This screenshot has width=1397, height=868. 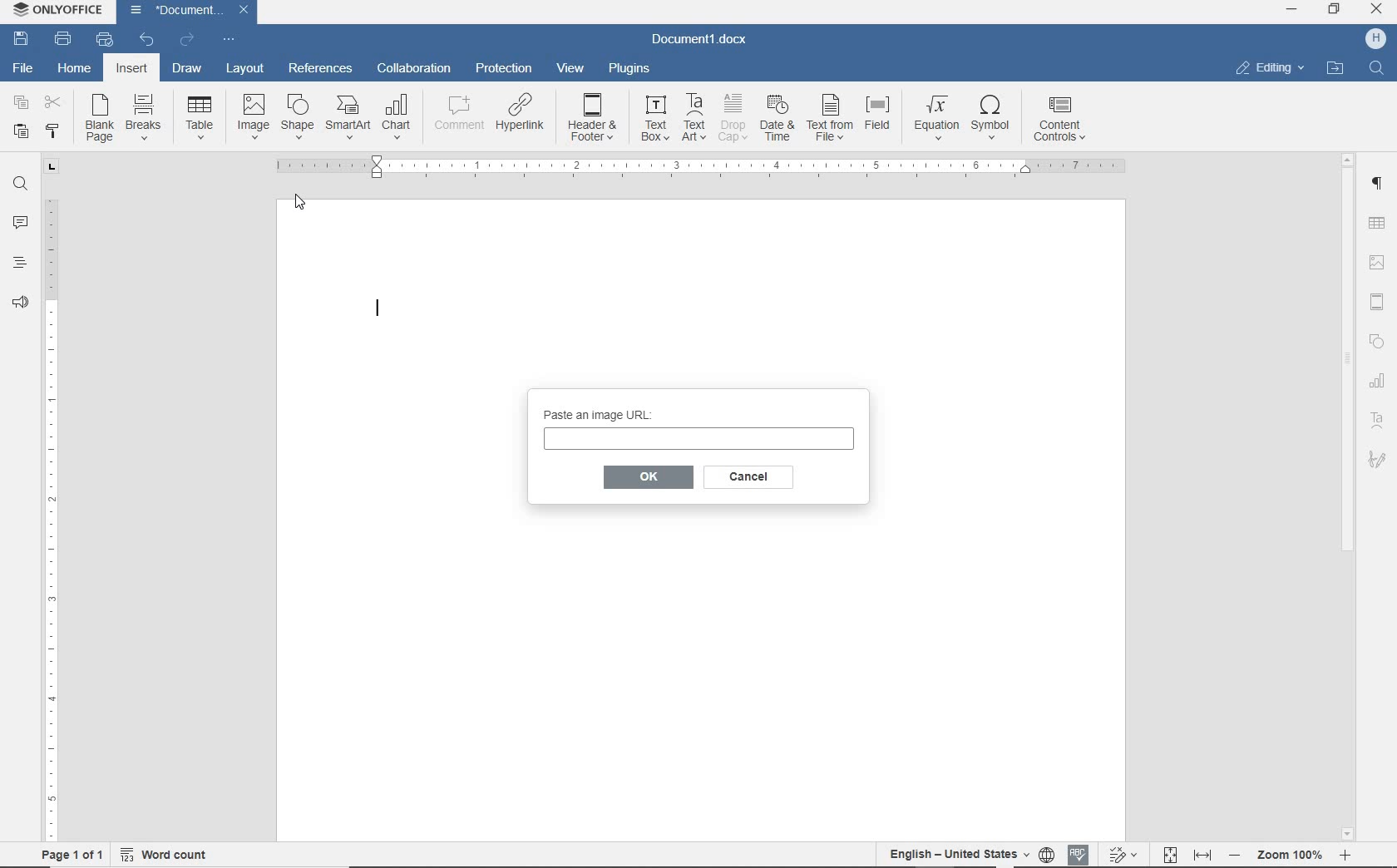 What do you see at coordinates (188, 69) in the screenshot?
I see `draw` at bounding box center [188, 69].